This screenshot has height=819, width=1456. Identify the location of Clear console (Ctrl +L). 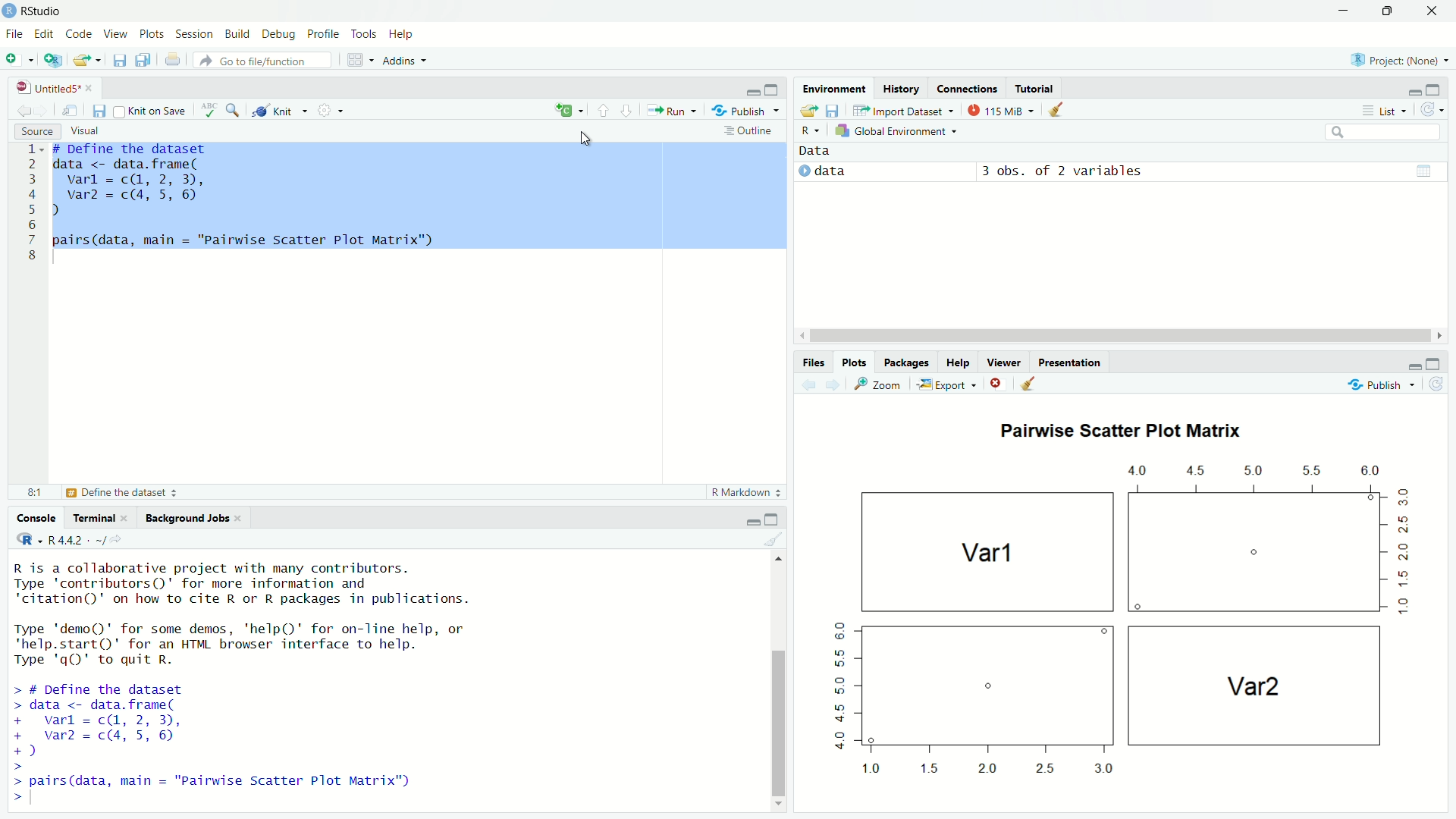
(1056, 108).